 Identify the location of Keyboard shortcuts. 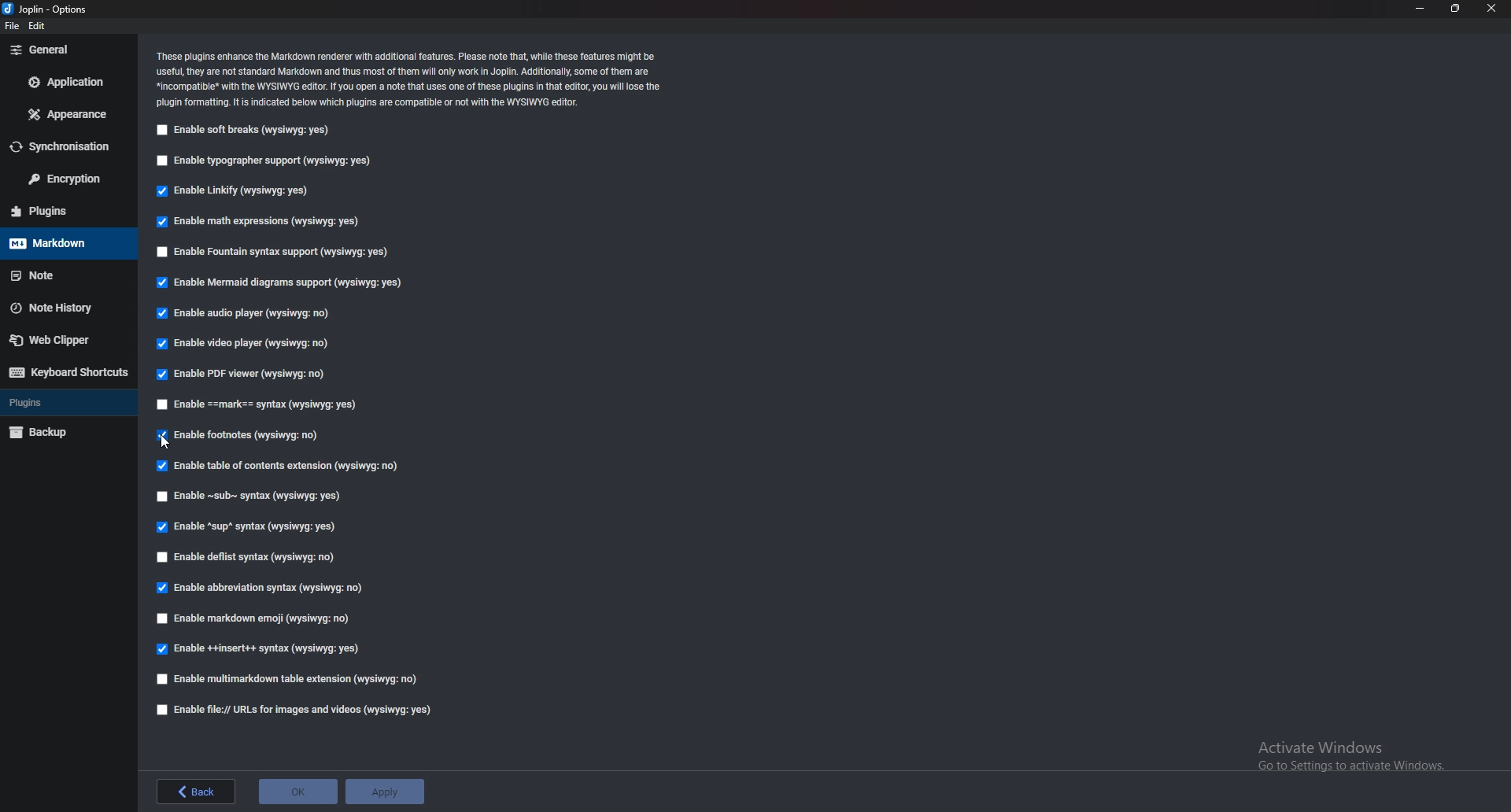
(71, 372).